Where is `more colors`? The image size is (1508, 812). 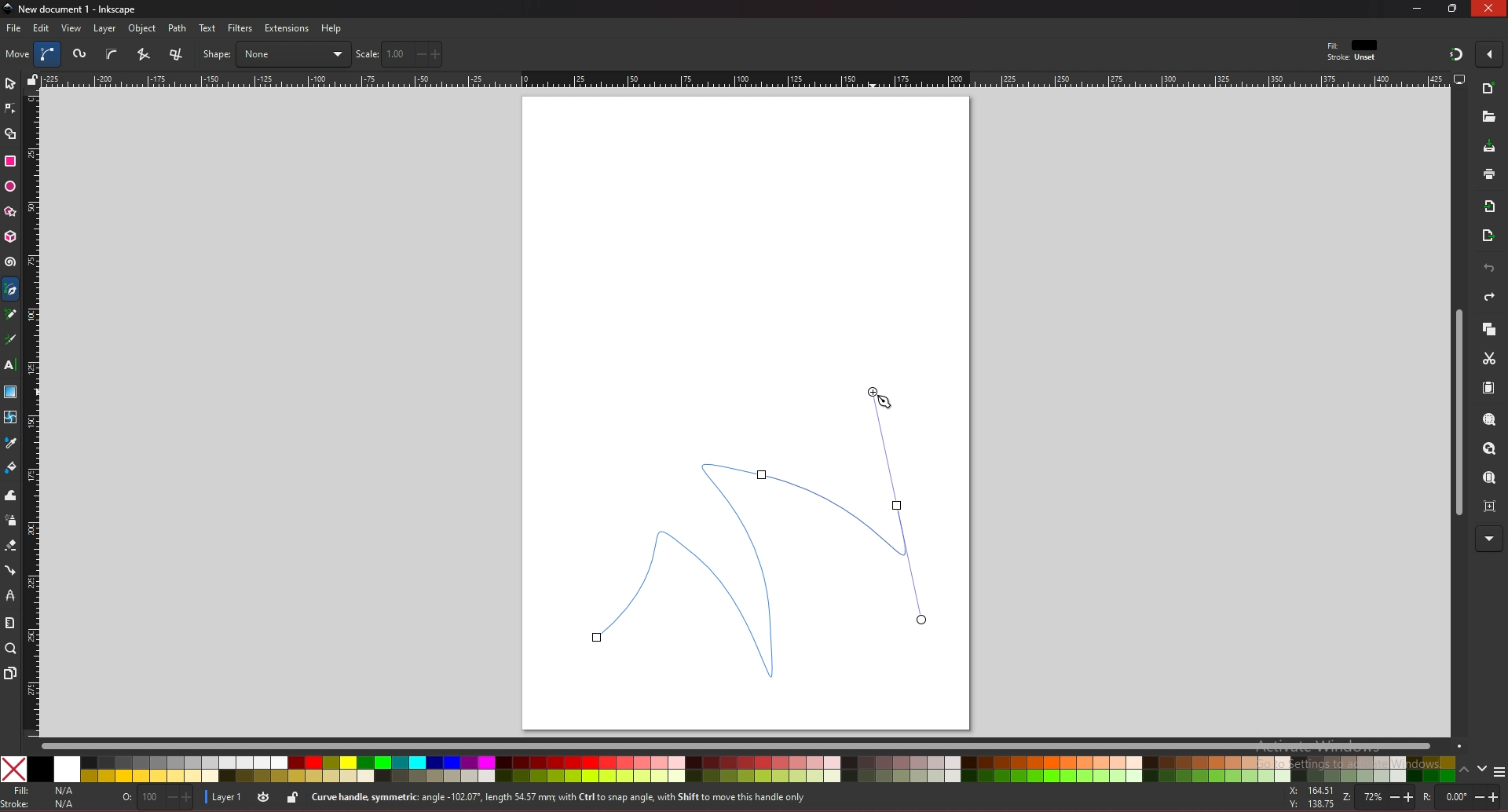 more colors is located at coordinates (1499, 773).